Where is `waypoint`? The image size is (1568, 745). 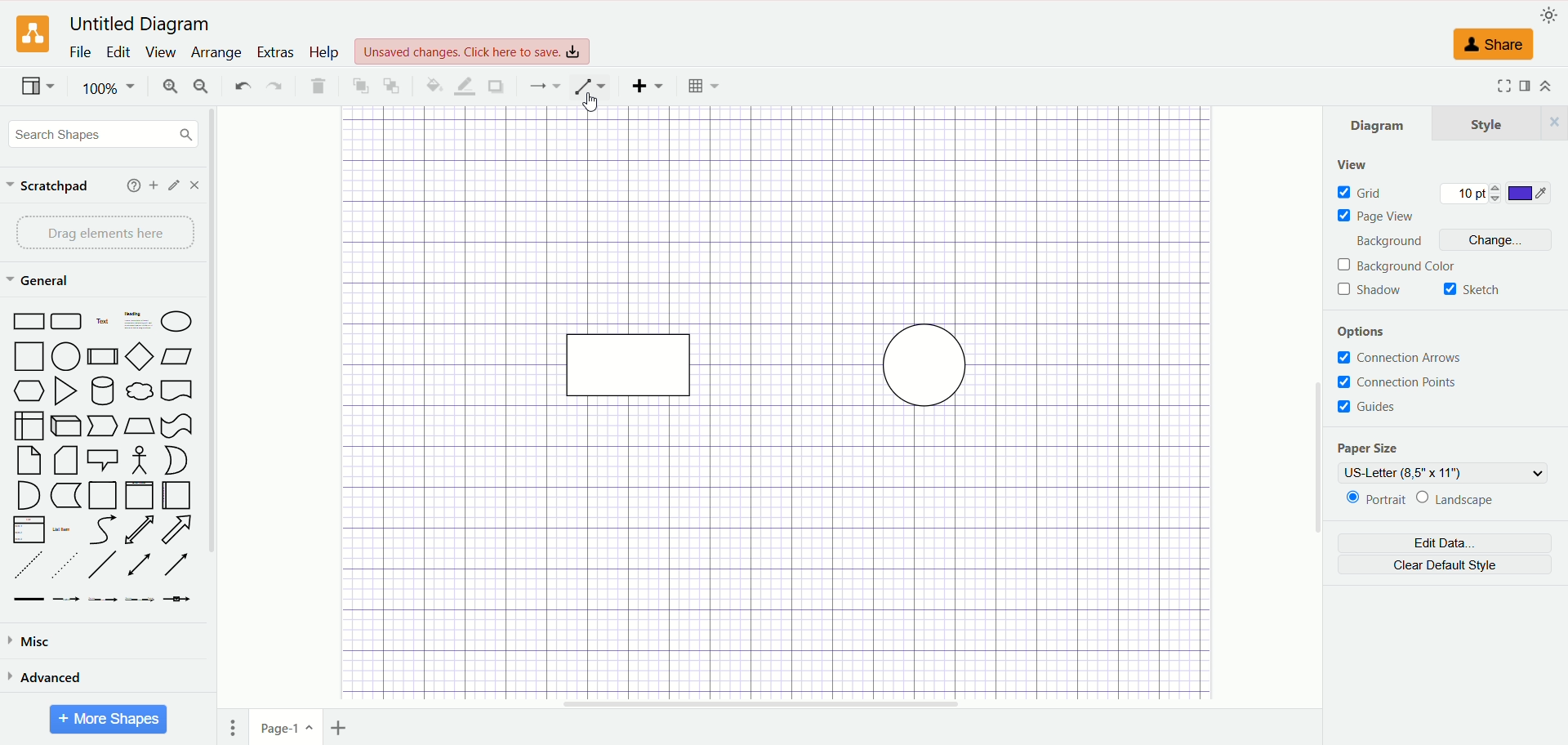
waypoint is located at coordinates (590, 87).